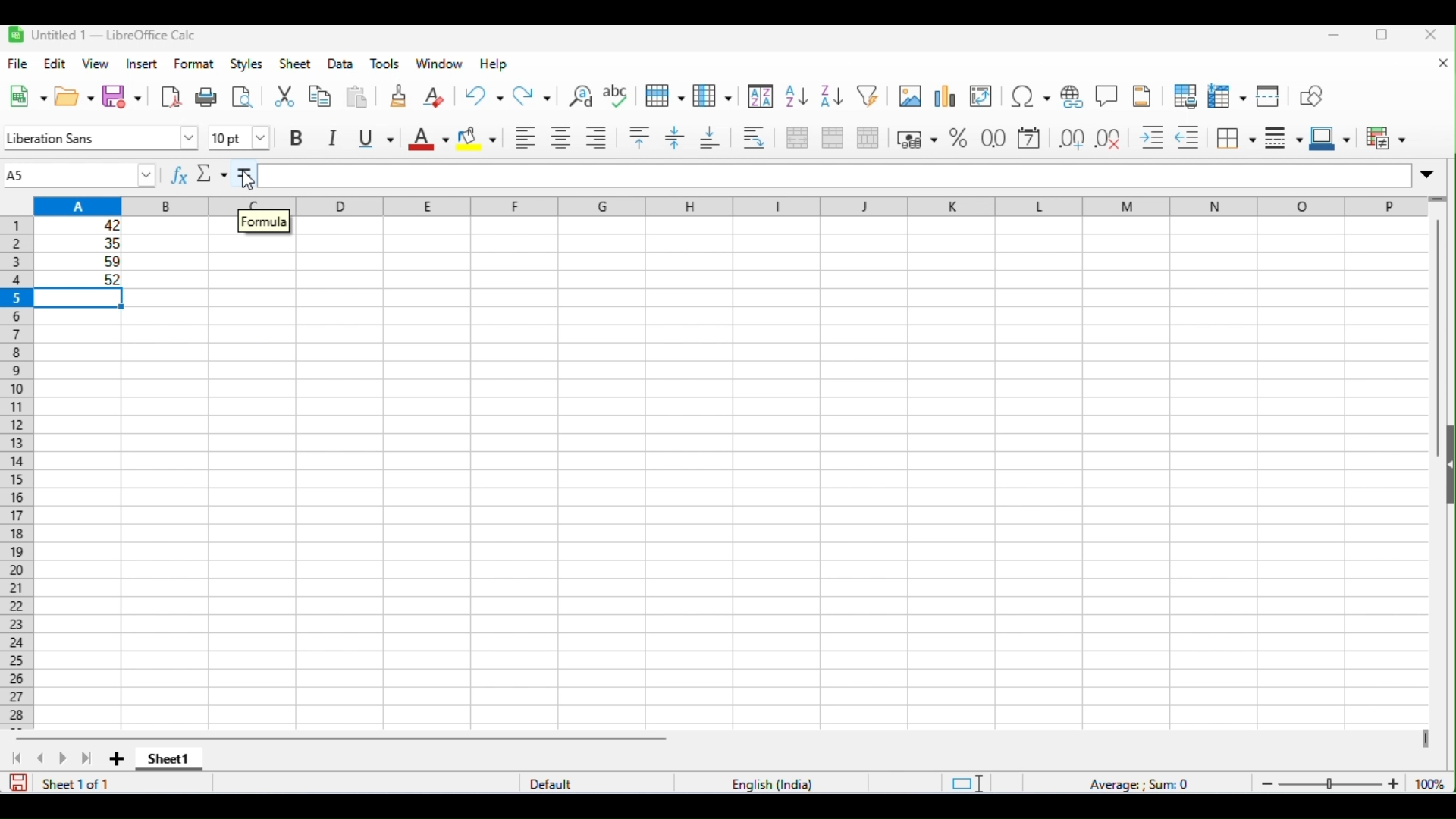 The width and height of the screenshot is (1456, 819). What do you see at coordinates (477, 138) in the screenshot?
I see `background color` at bounding box center [477, 138].